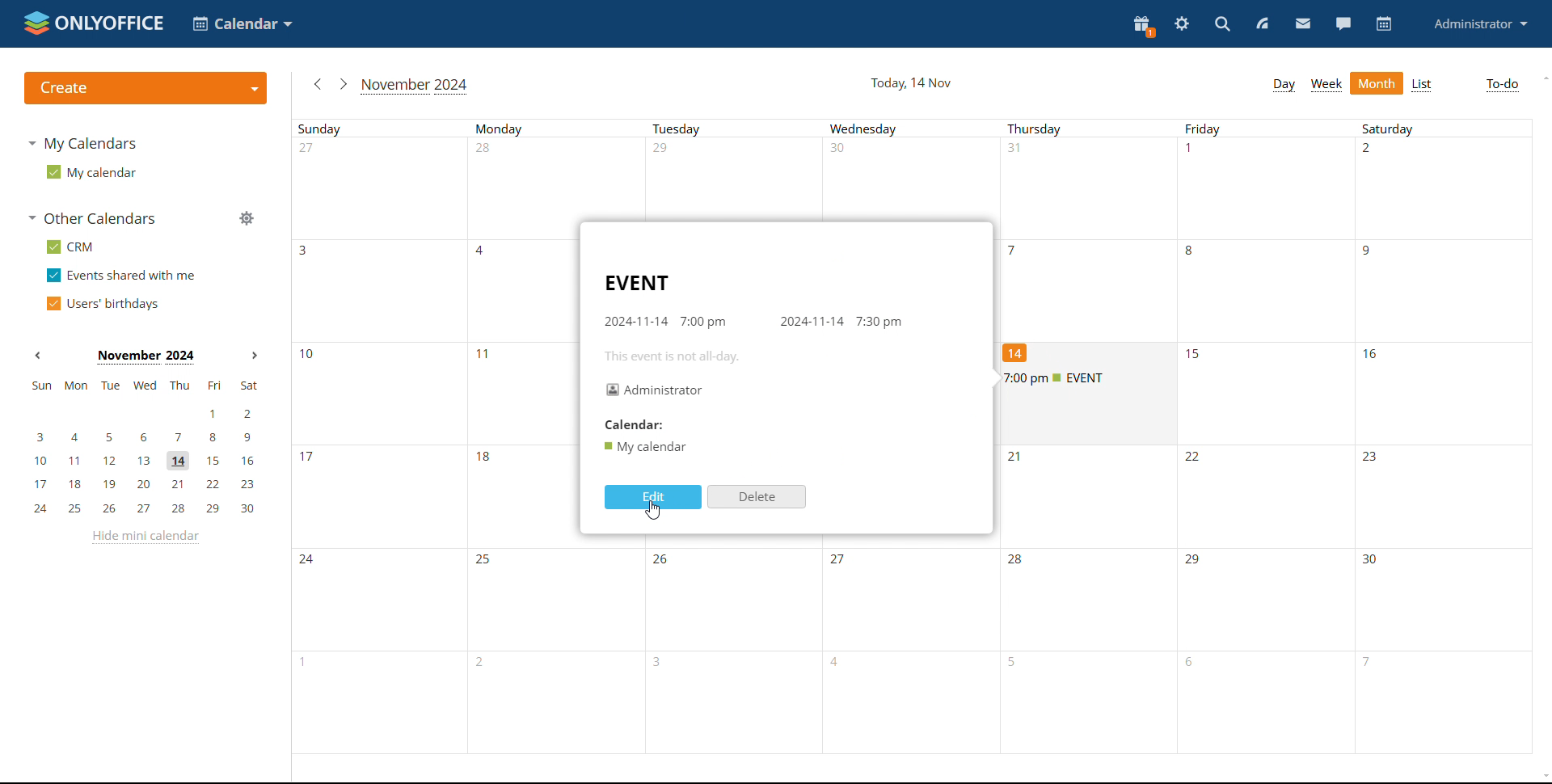 The image size is (1552, 784). I want to click on mail, so click(1301, 24).